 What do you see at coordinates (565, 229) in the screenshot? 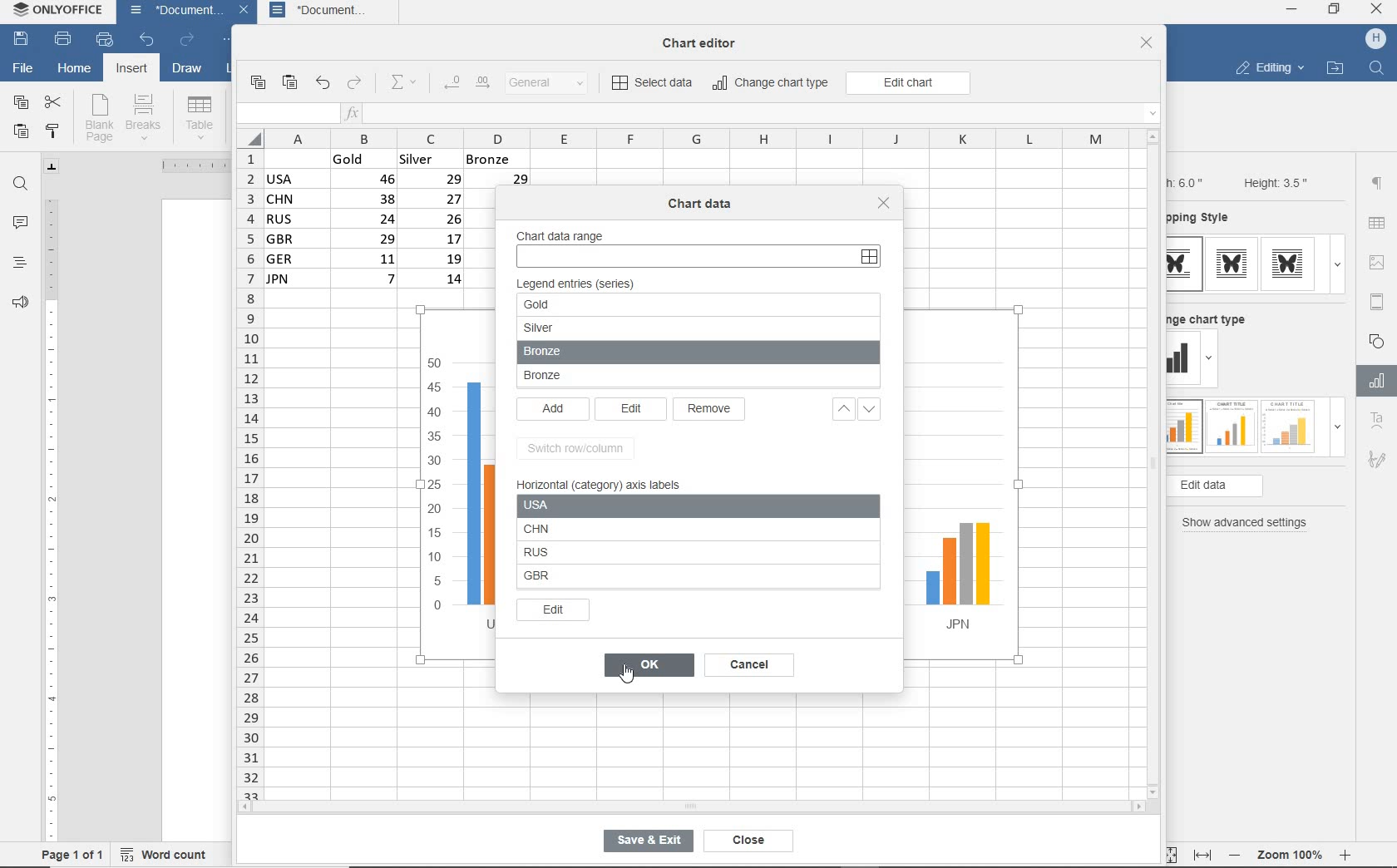
I see `chart data range` at bounding box center [565, 229].